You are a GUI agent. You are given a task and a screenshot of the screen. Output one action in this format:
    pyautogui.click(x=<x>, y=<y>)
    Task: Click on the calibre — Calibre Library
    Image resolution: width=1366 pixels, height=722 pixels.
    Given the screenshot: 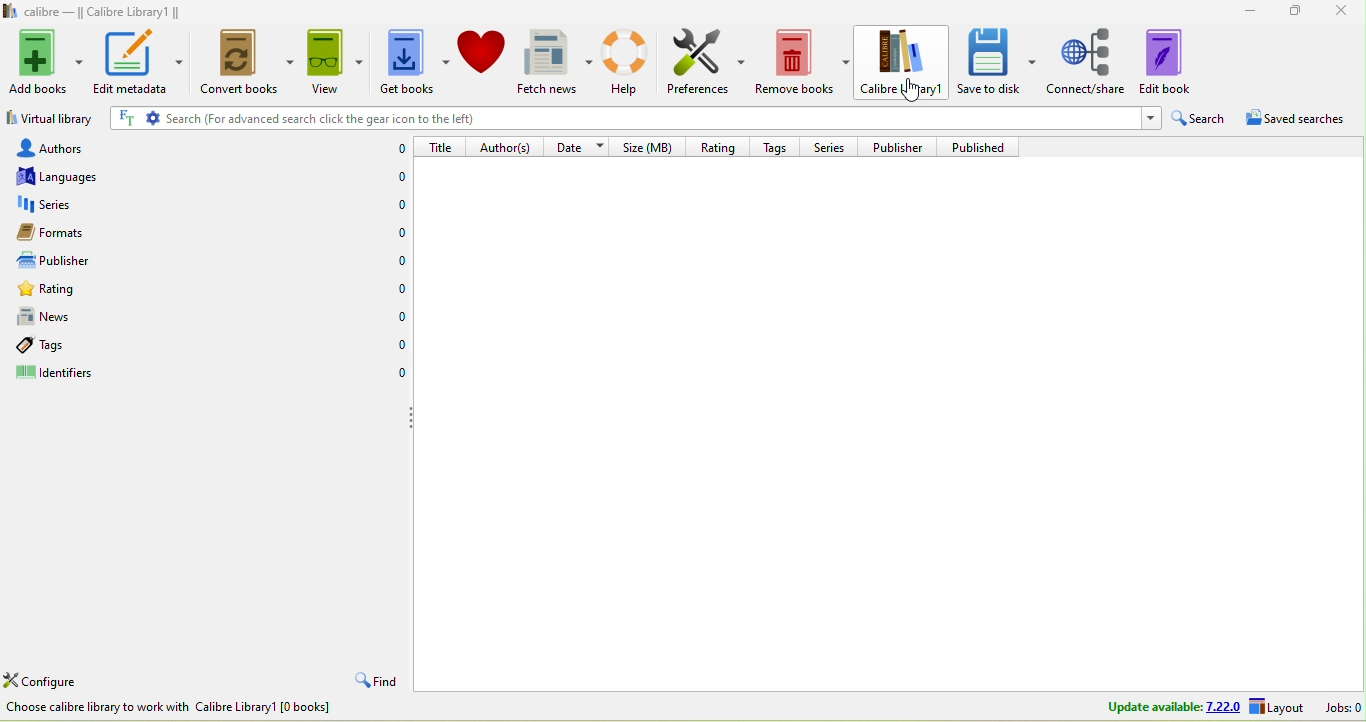 What is the action you would take?
    pyautogui.click(x=88, y=12)
    